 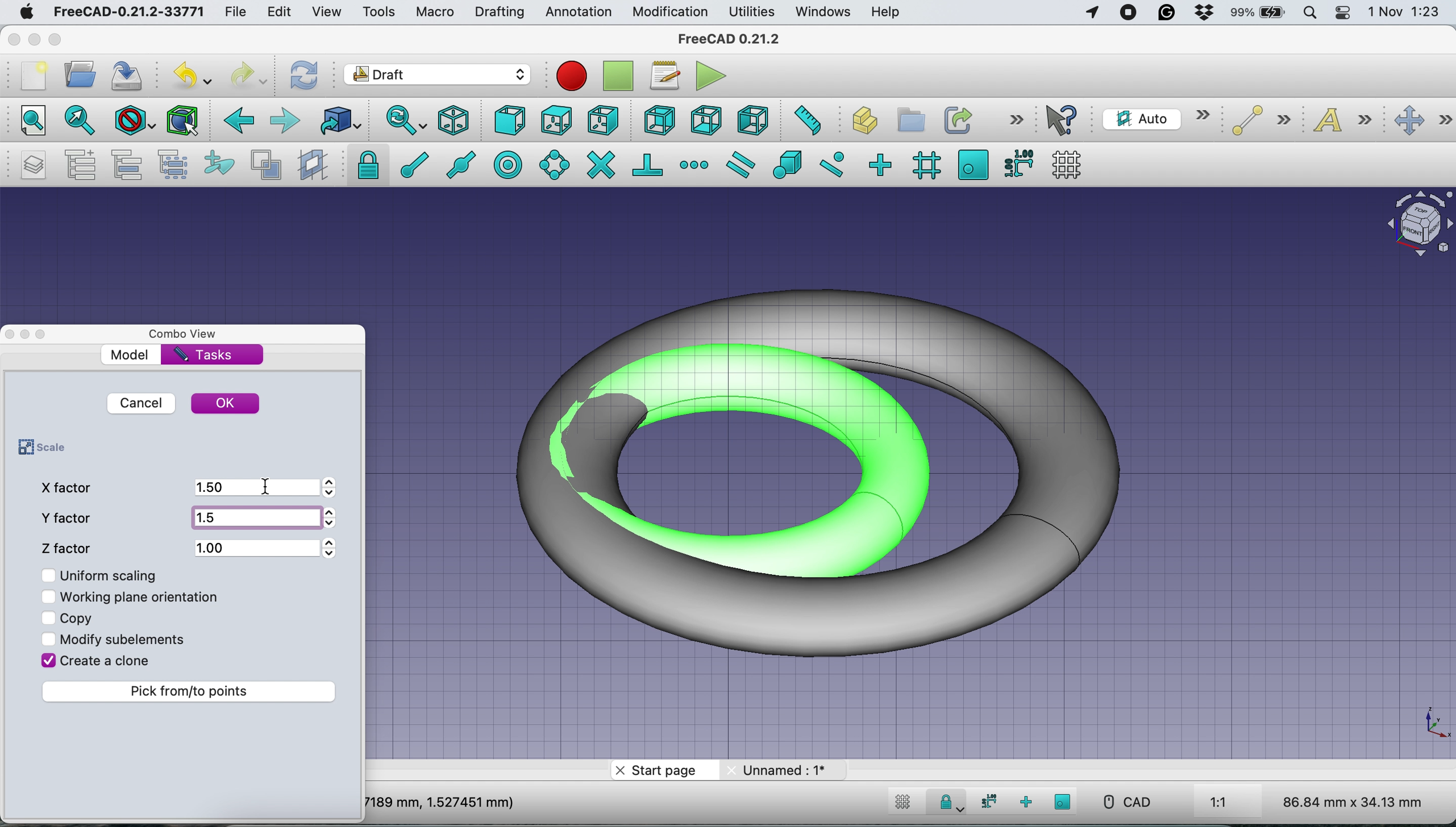 What do you see at coordinates (1232, 803) in the screenshot?
I see `1:1` at bounding box center [1232, 803].